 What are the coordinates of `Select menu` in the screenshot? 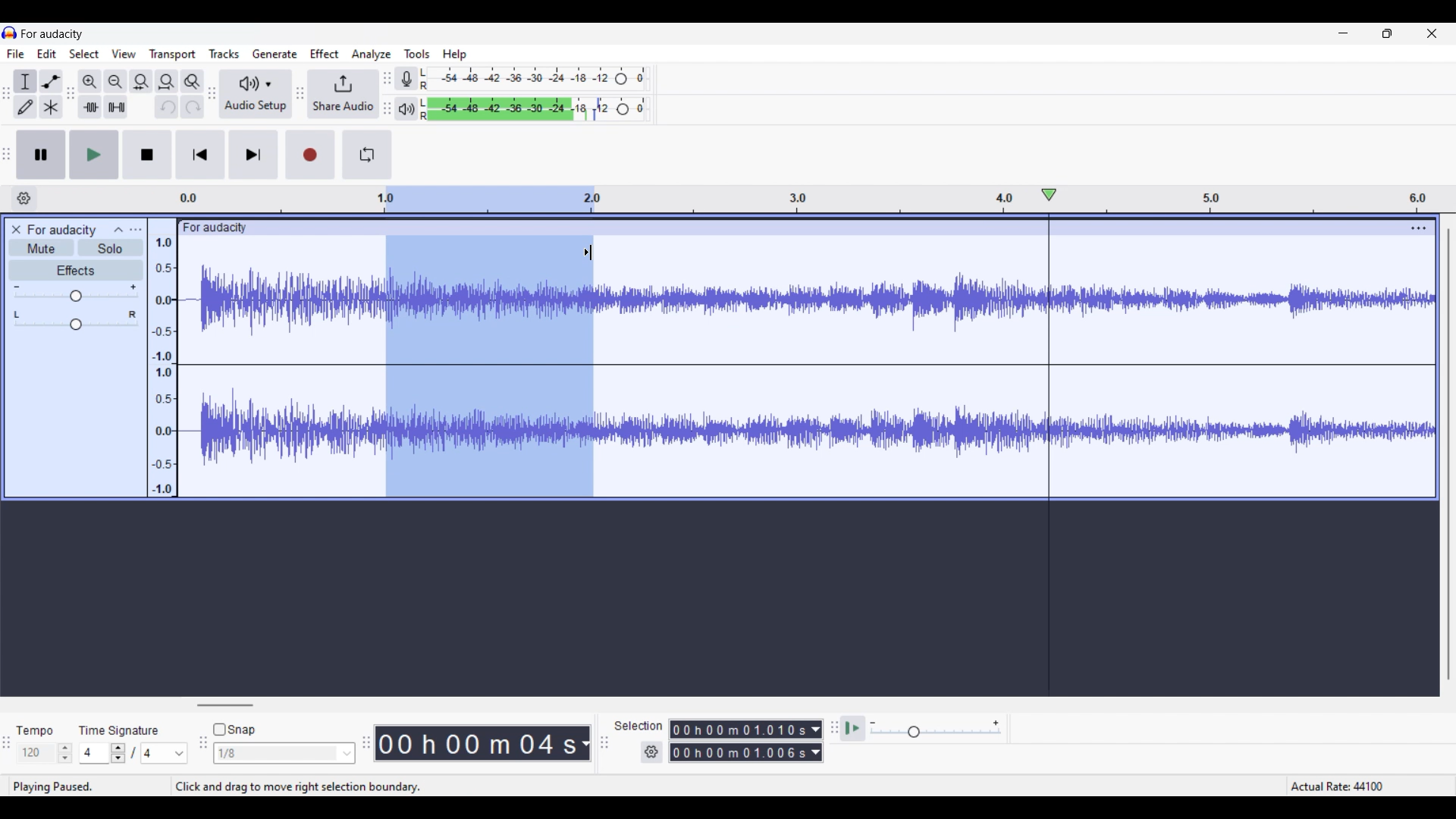 It's located at (84, 54).